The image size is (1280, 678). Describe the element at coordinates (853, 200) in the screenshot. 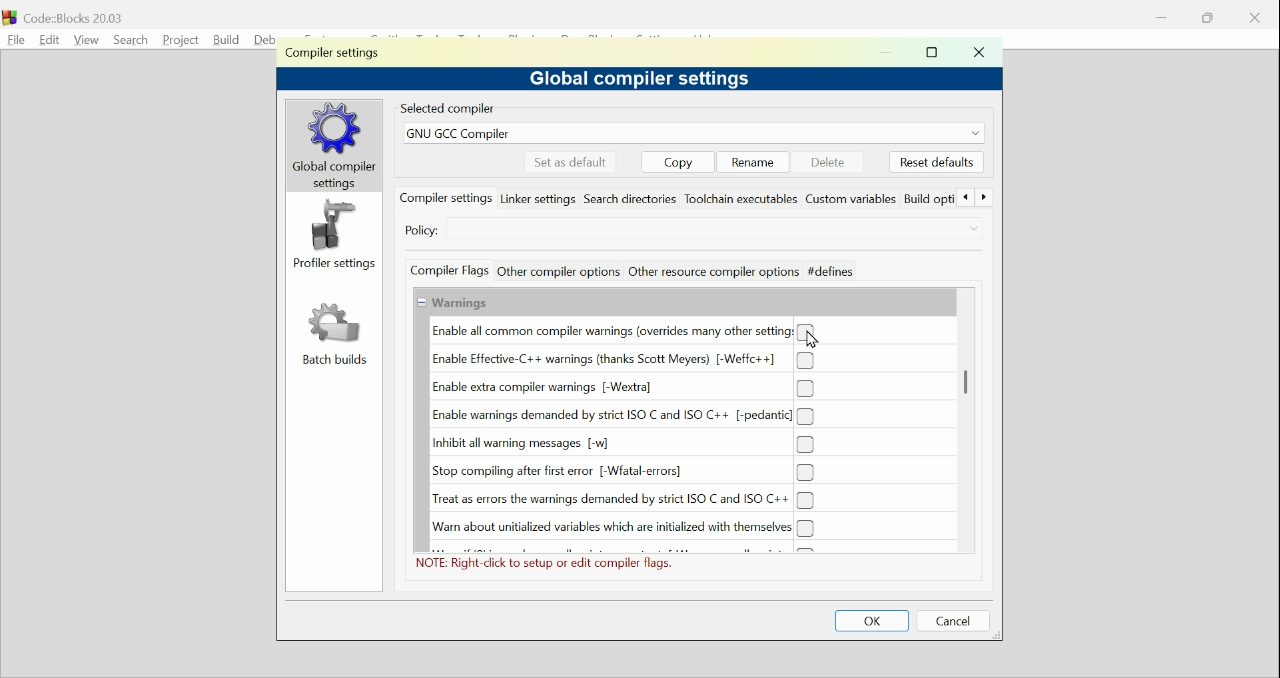

I see `Custom variables` at that location.